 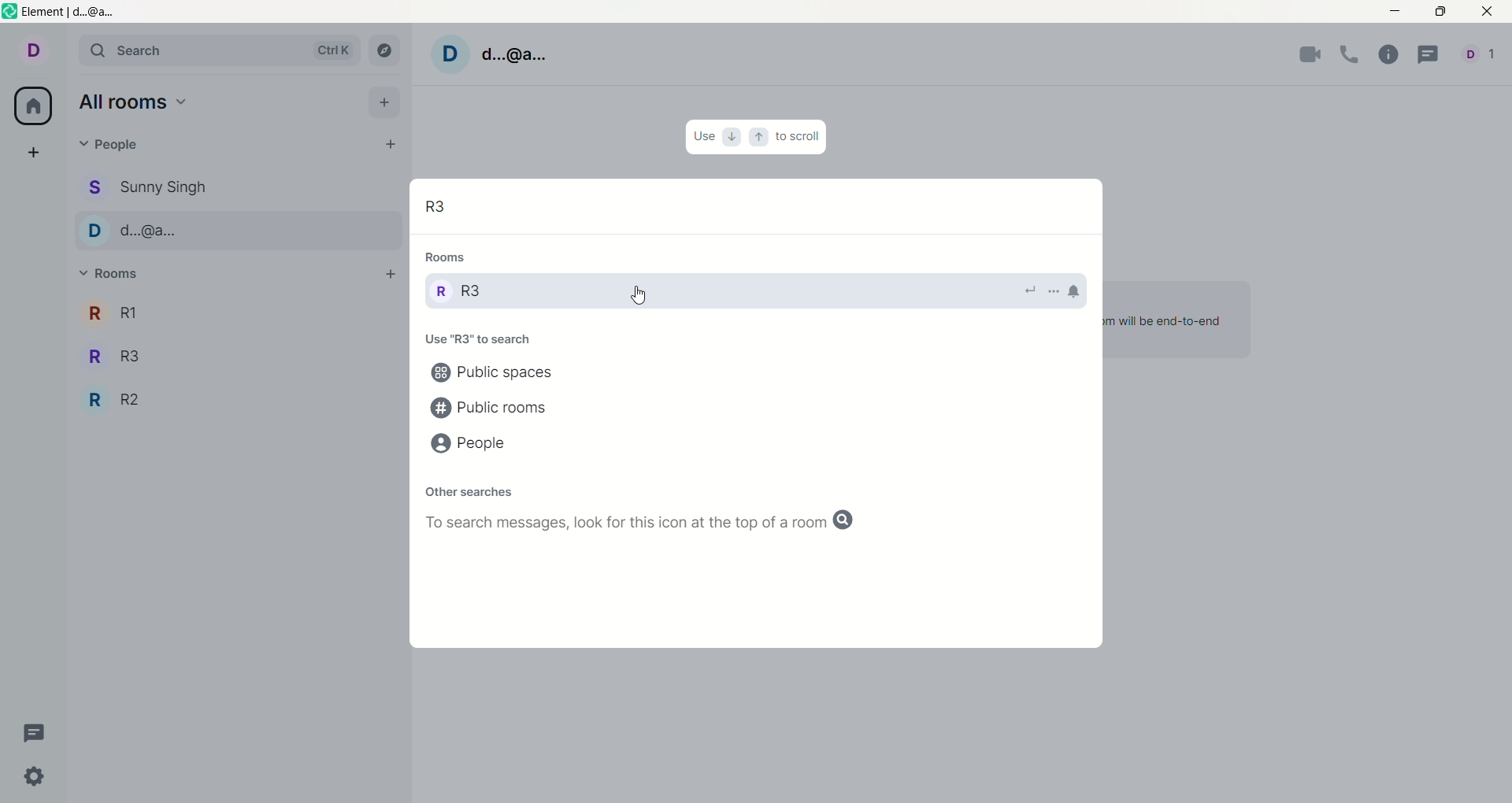 What do you see at coordinates (390, 144) in the screenshot?
I see `start chat` at bounding box center [390, 144].